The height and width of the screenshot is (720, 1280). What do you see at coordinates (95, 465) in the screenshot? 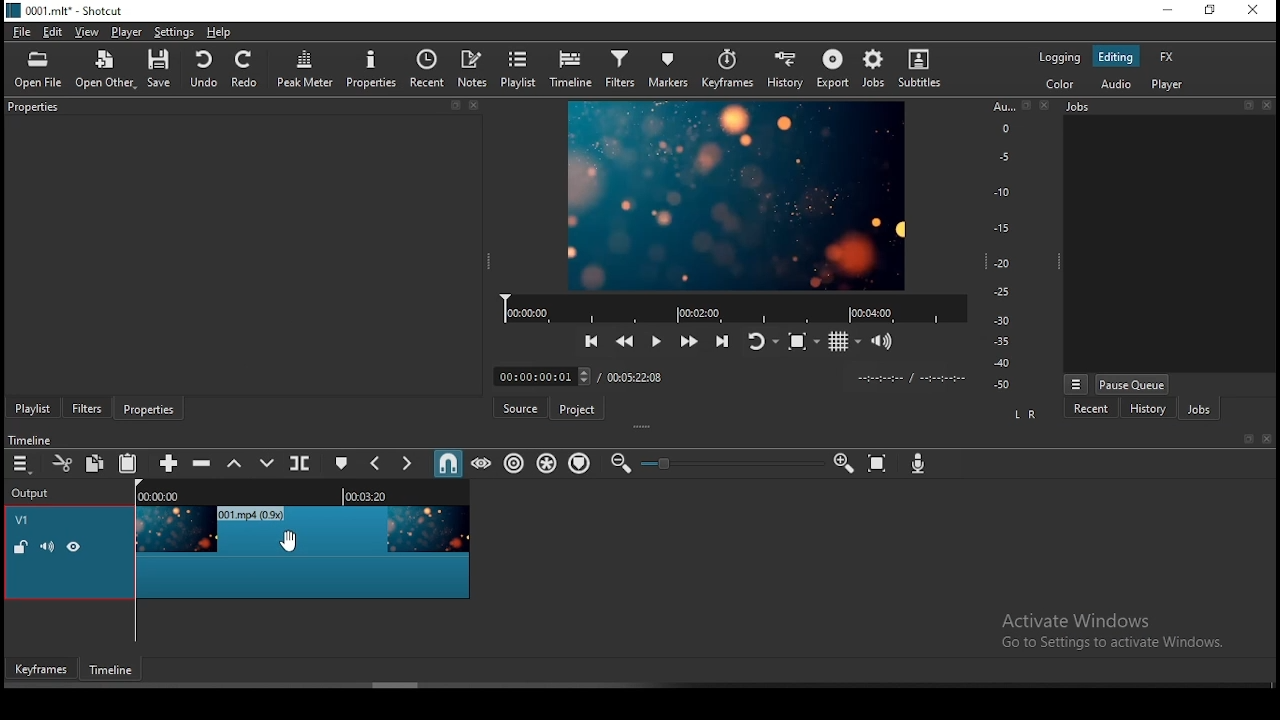
I see `copy` at bounding box center [95, 465].